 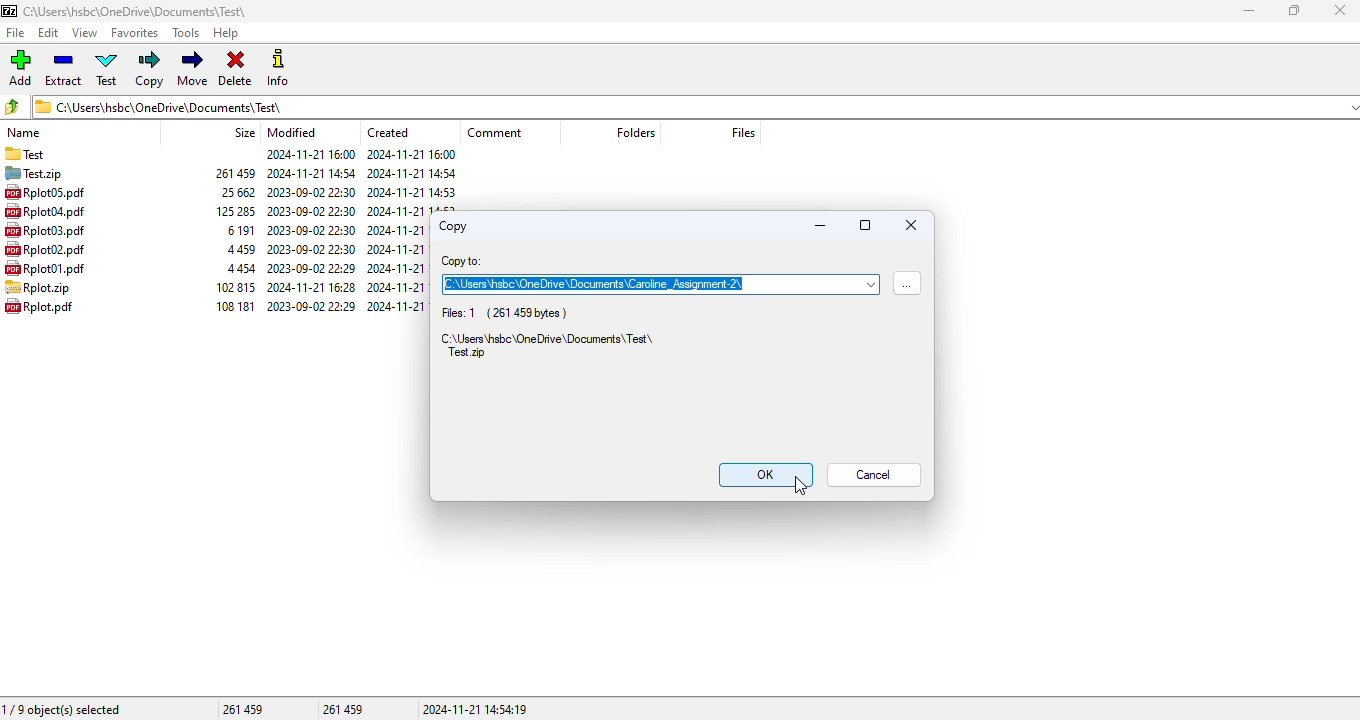 I want to click on delete, so click(x=236, y=69).